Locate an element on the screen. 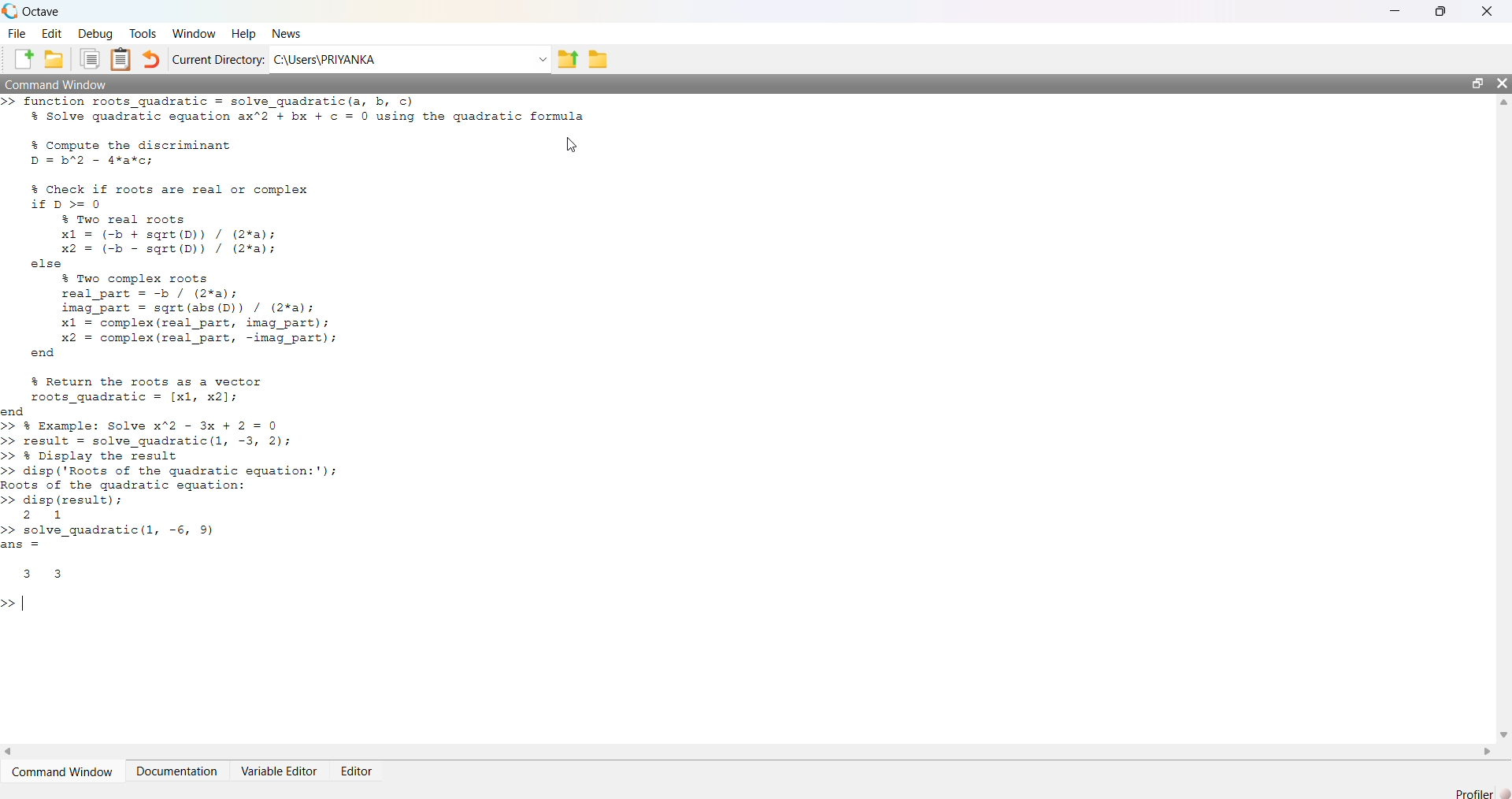  Minimize is located at coordinates (1403, 12).